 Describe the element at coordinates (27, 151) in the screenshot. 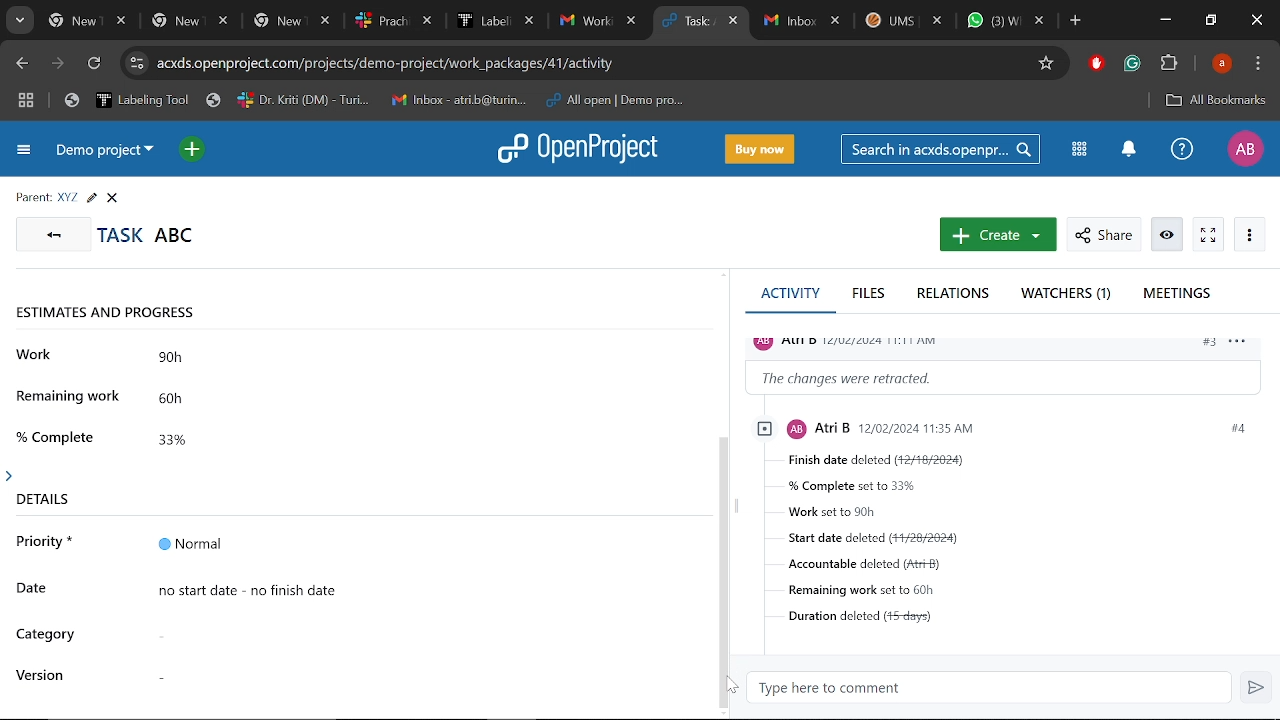

I see `` at that location.